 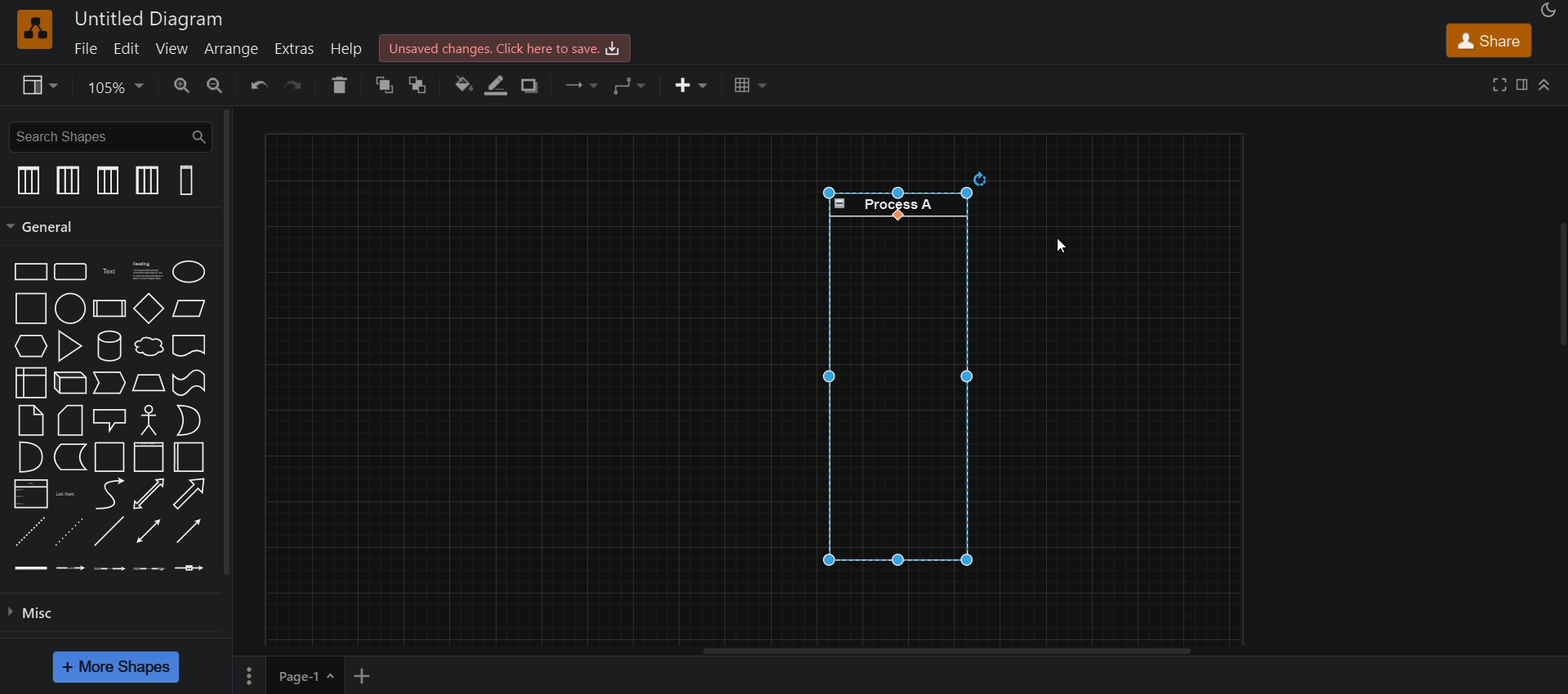 I want to click on directional connector, so click(x=192, y=535).